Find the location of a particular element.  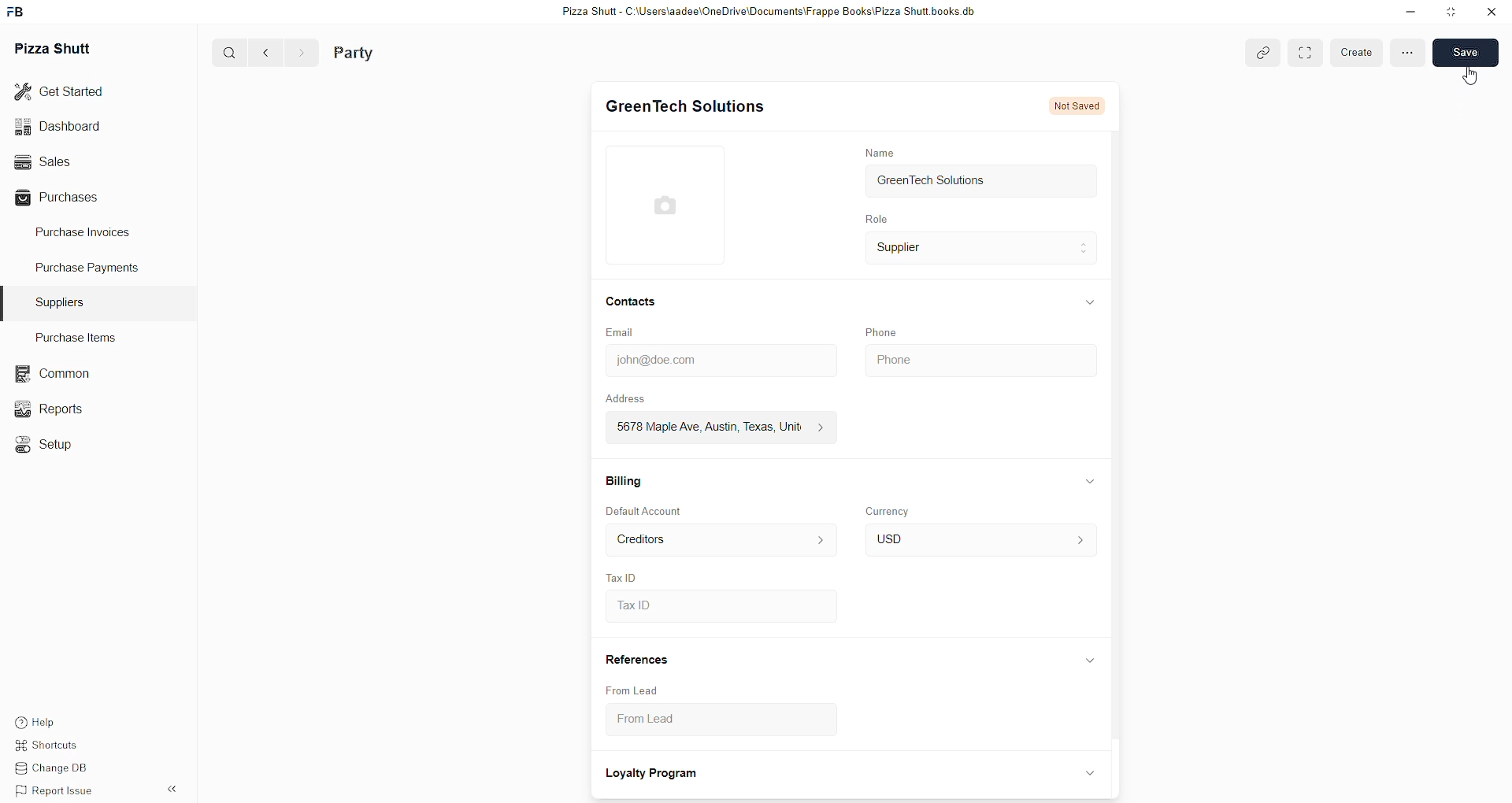

Tax ID is located at coordinates (719, 607).